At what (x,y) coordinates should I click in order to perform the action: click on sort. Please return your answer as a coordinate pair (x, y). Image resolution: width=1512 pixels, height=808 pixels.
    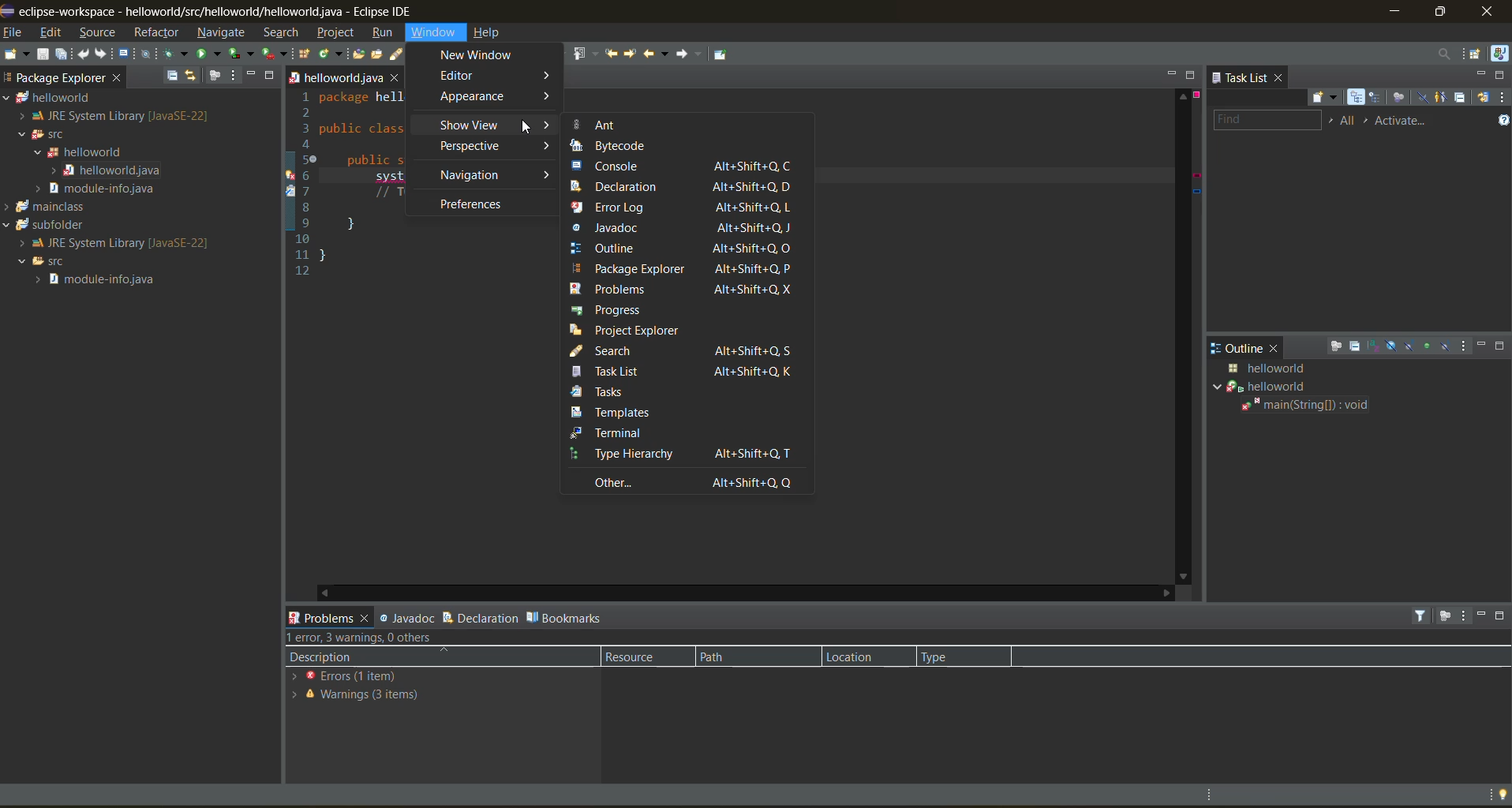
    Looking at the image, I should click on (1378, 347).